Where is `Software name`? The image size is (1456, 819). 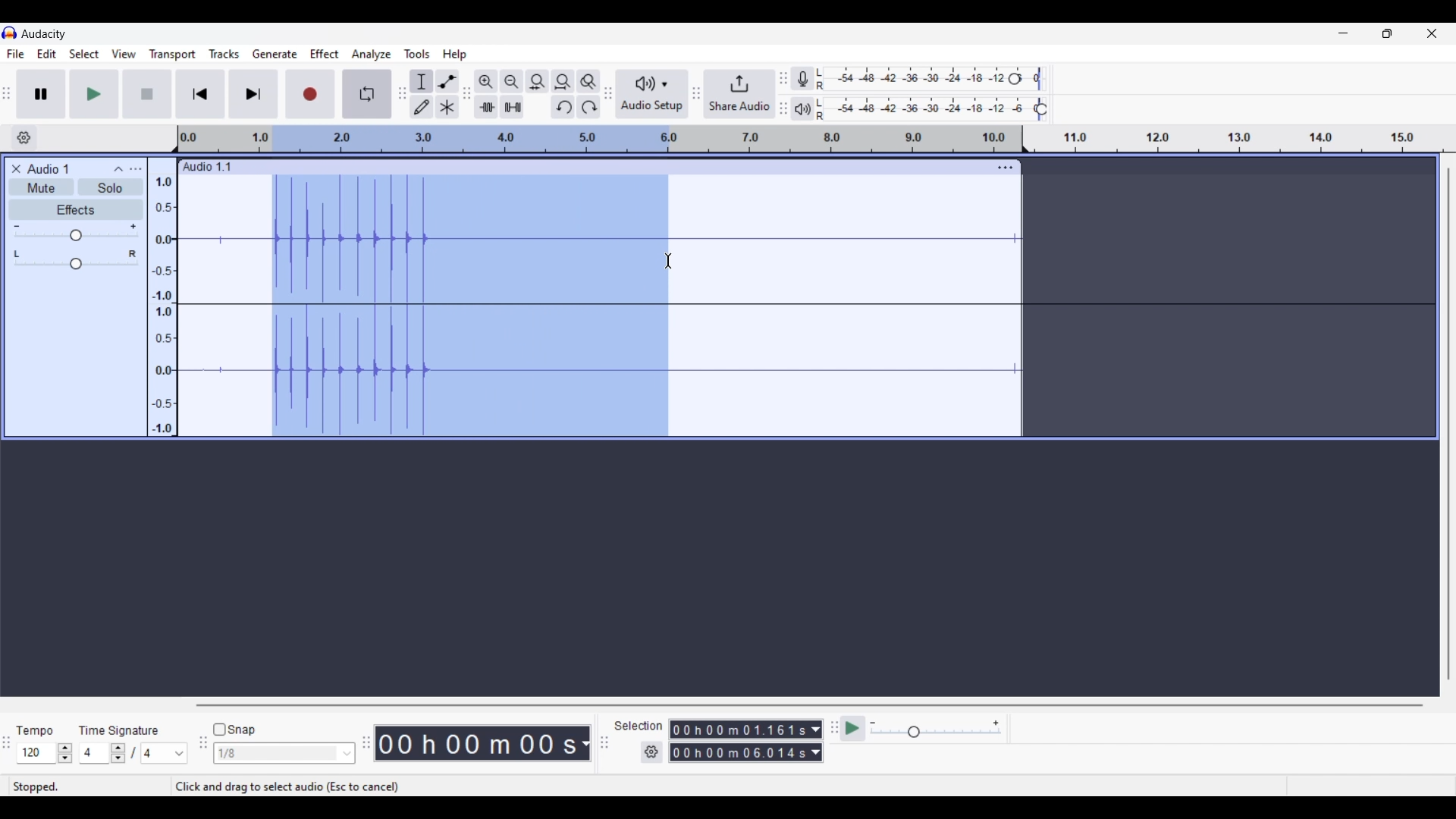 Software name is located at coordinates (45, 34).